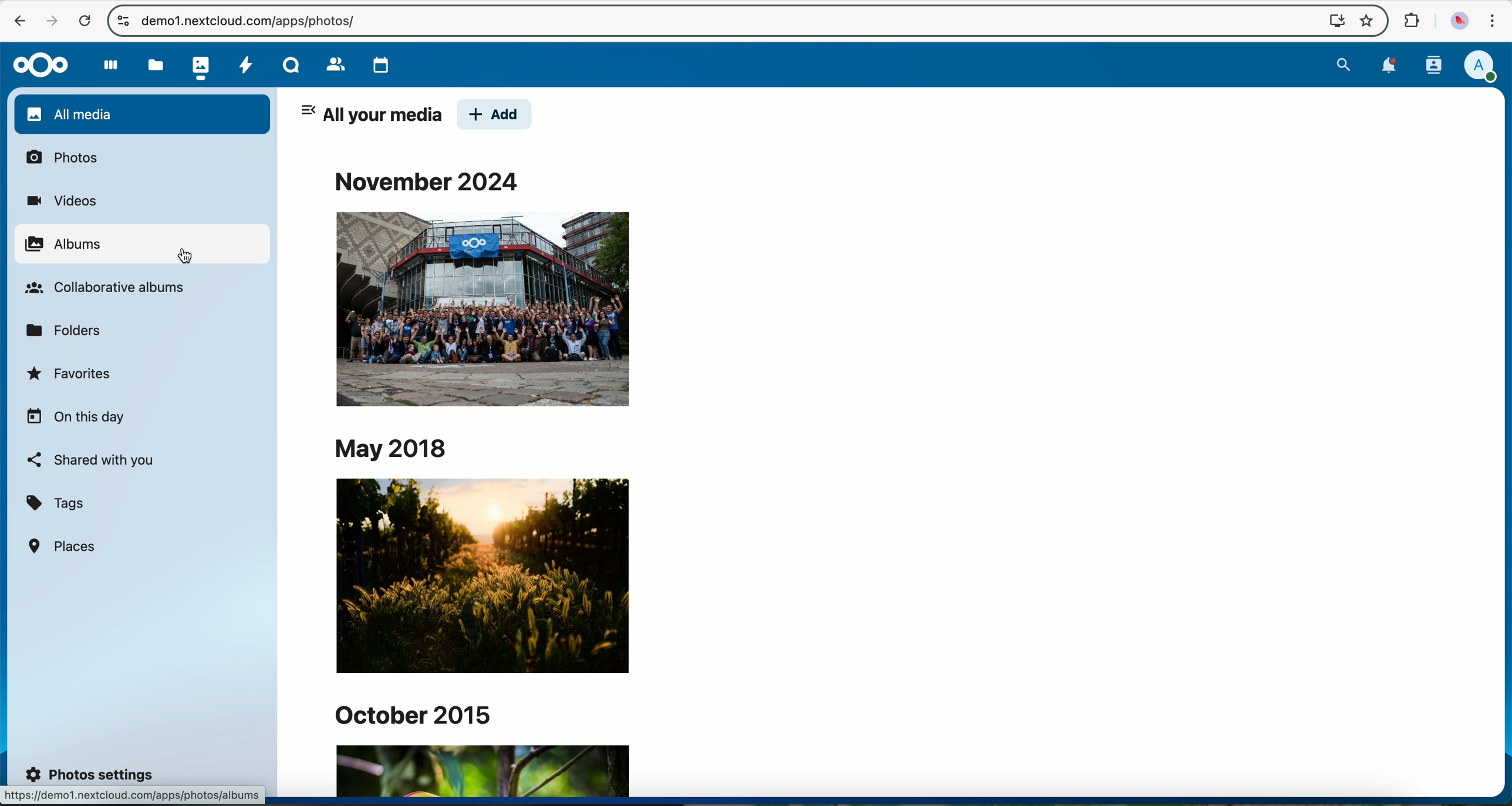  What do you see at coordinates (141, 245) in the screenshot?
I see `click on albums` at bounding box center [141, 245].